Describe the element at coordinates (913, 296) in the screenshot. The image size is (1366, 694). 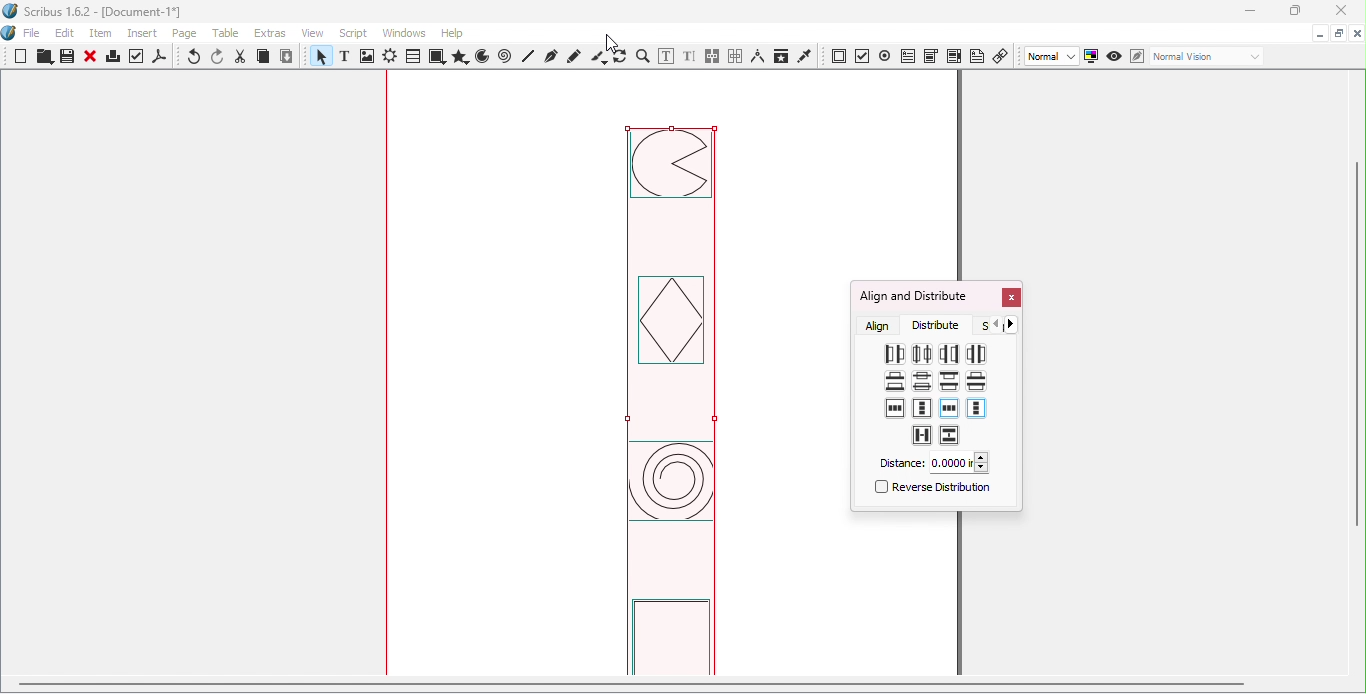
I see `Align and Distribute` at that location.